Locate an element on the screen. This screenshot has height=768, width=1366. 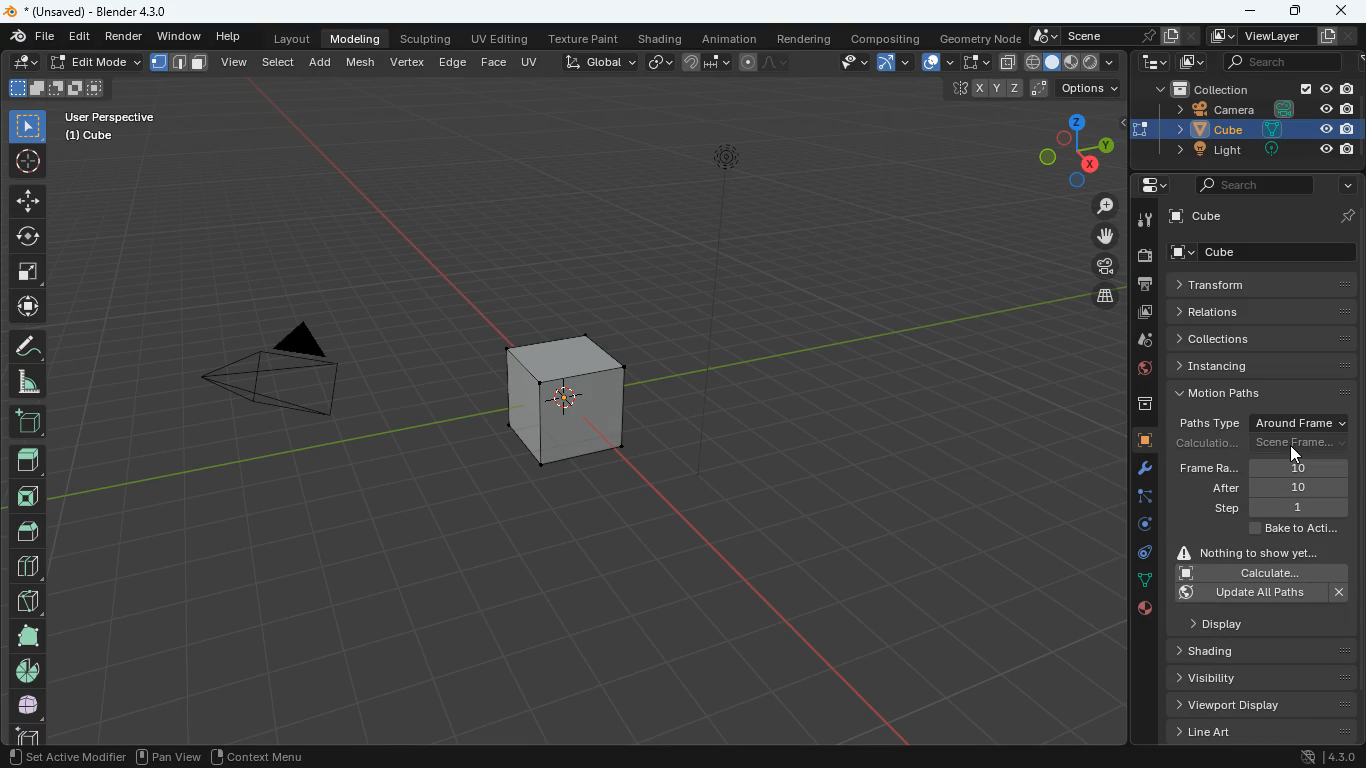
shading is located at coordinates (663, 40).